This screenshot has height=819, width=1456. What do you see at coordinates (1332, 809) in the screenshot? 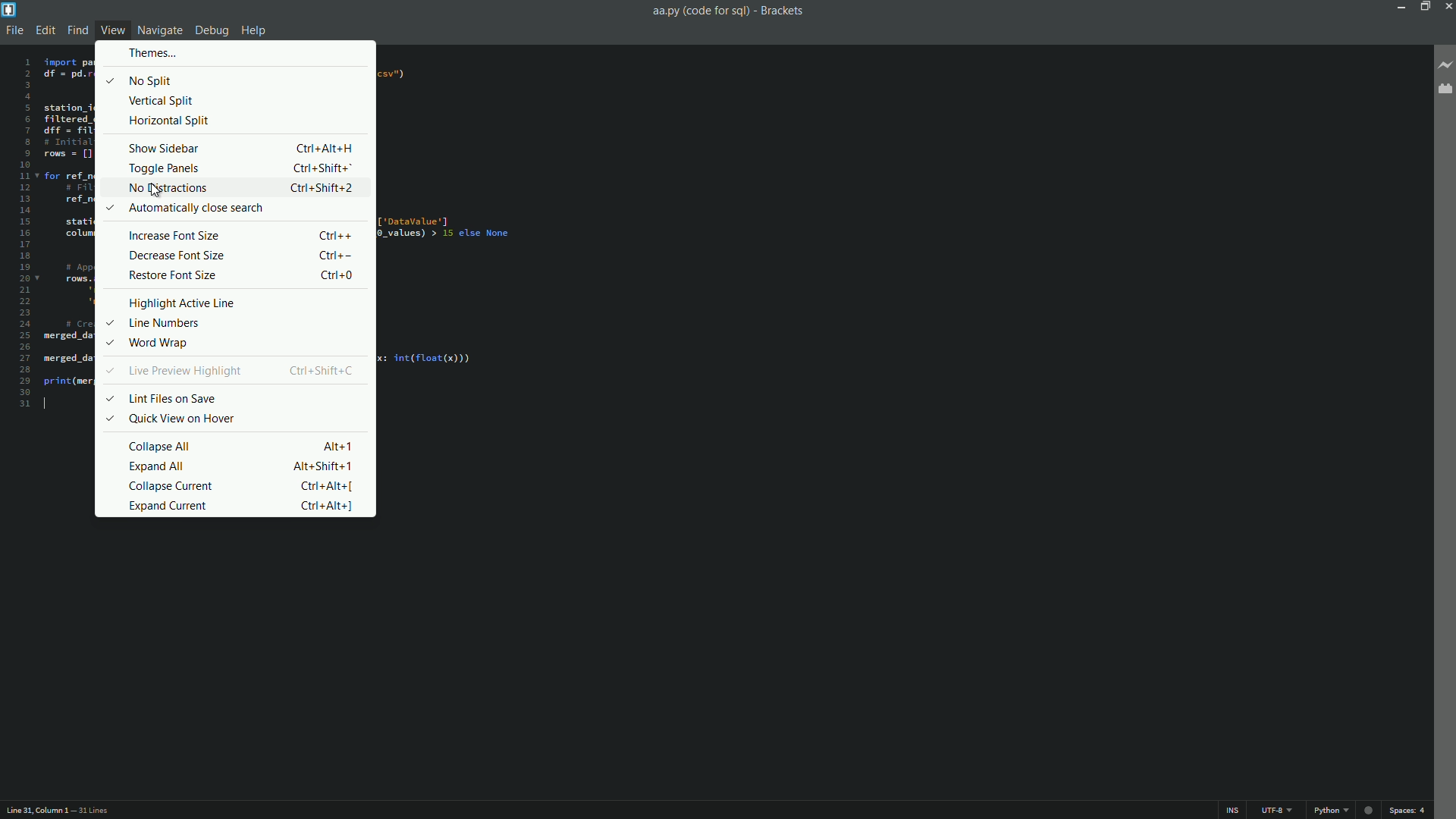
I see `python` at bounding box center [1332, 809].